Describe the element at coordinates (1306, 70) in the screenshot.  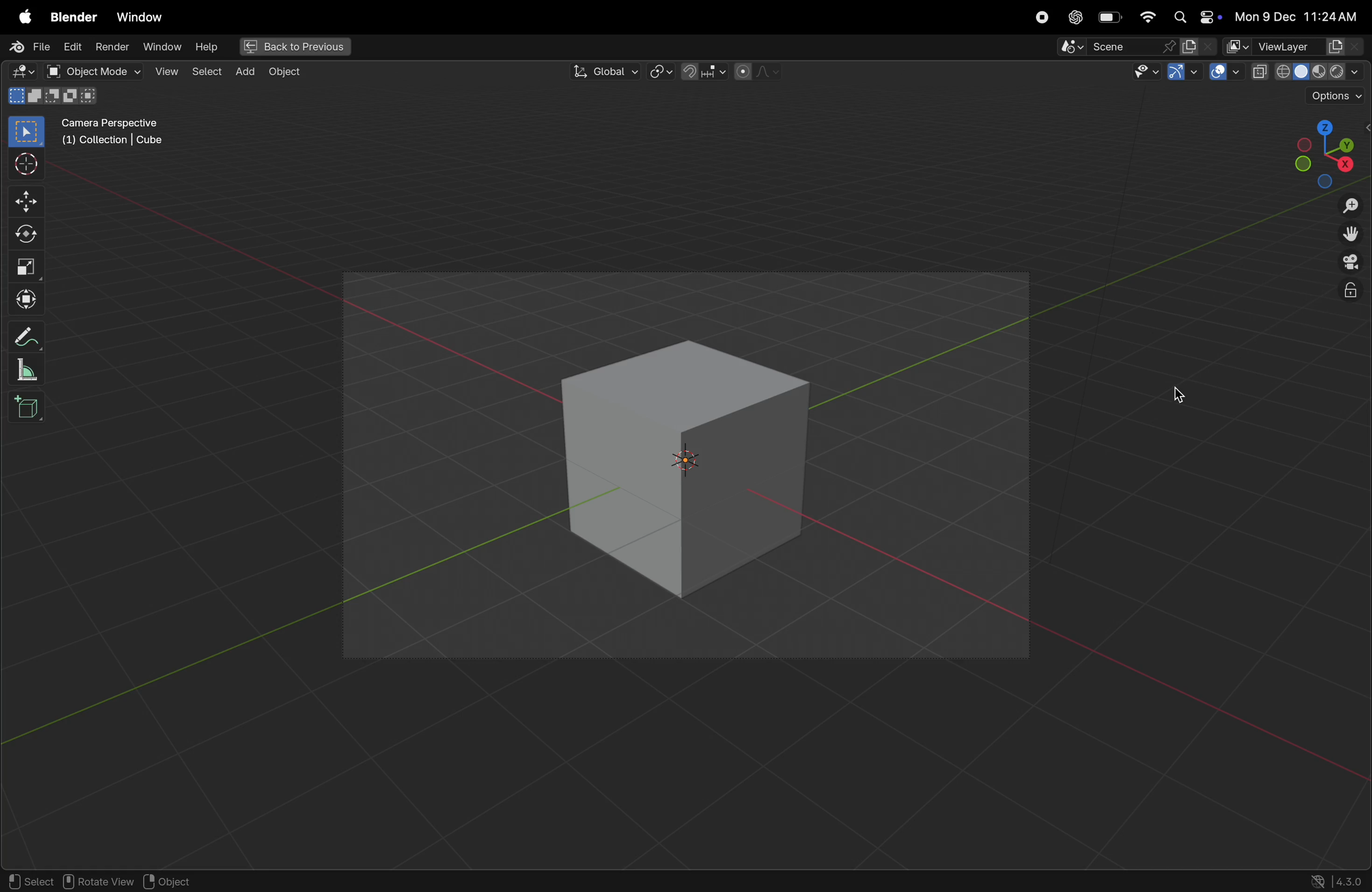
I see `view port shadows` at that location.